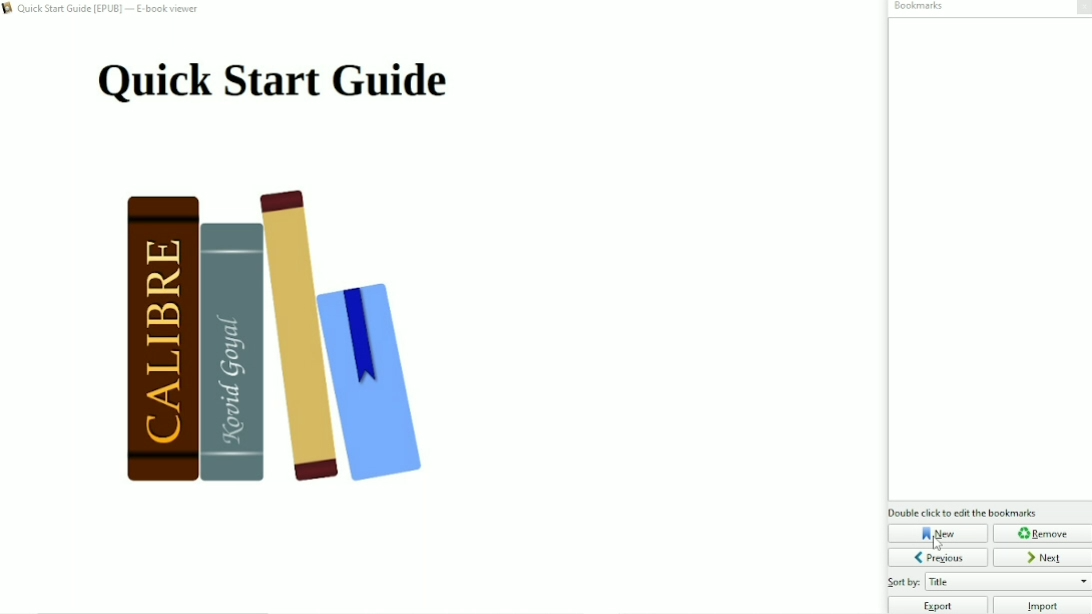 This screenshot has width=1092, height=614. I want to click on Book, so click(291, 343).